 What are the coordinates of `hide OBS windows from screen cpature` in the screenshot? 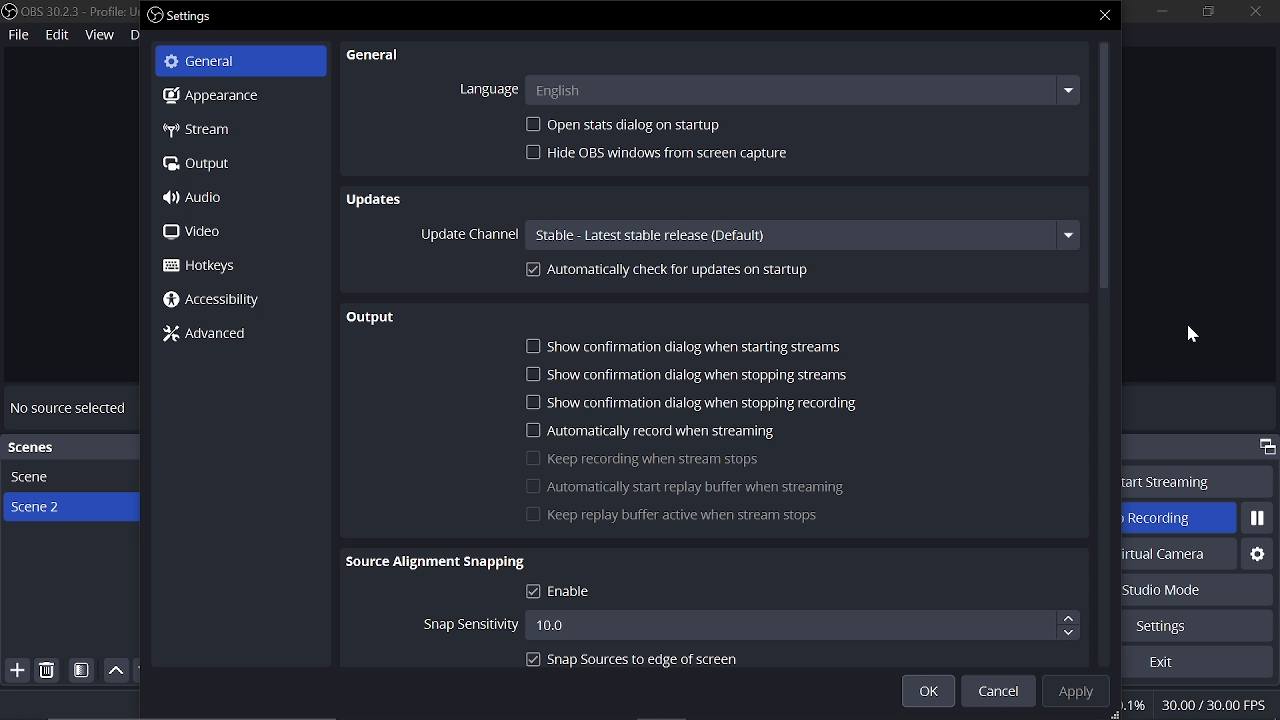 It's located at (655, 152).